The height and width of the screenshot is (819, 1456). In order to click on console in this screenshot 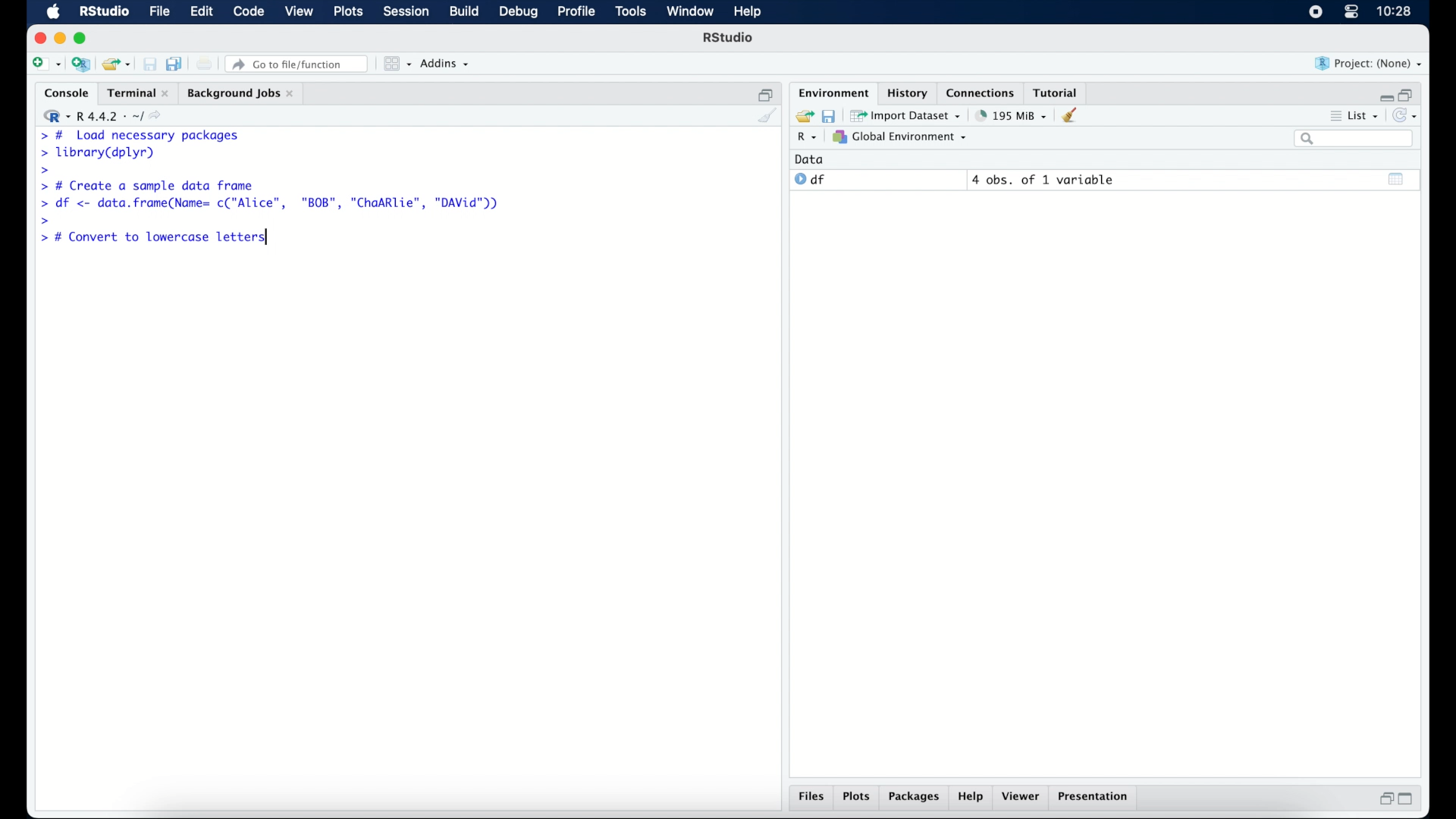, I will do `click(63, 93)`.